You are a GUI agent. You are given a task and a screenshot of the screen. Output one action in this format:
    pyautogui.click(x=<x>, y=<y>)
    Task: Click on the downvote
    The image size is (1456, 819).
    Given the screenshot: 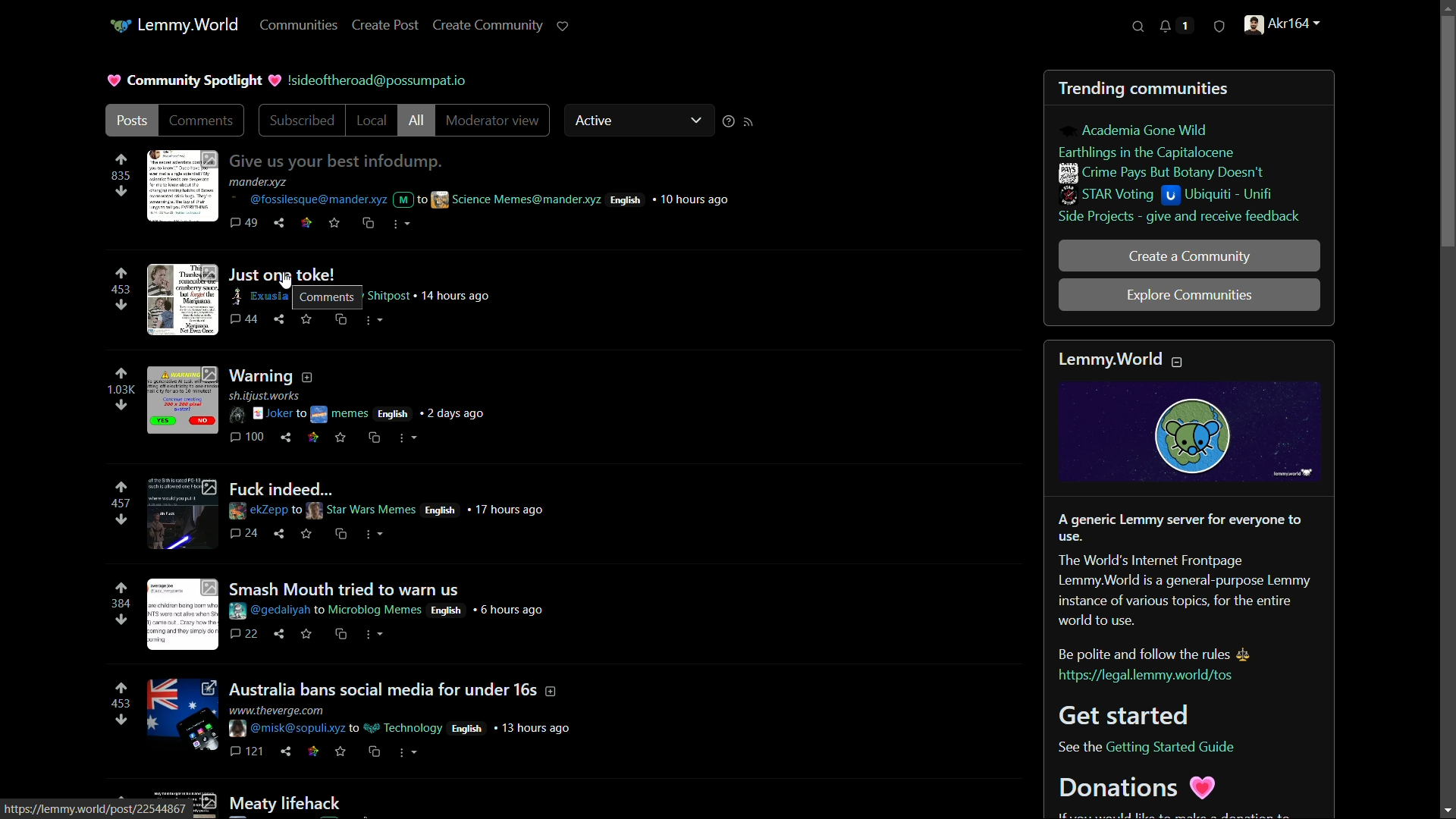 What is the action you would take?
    pyautogui.click(x=121, y=719)
    